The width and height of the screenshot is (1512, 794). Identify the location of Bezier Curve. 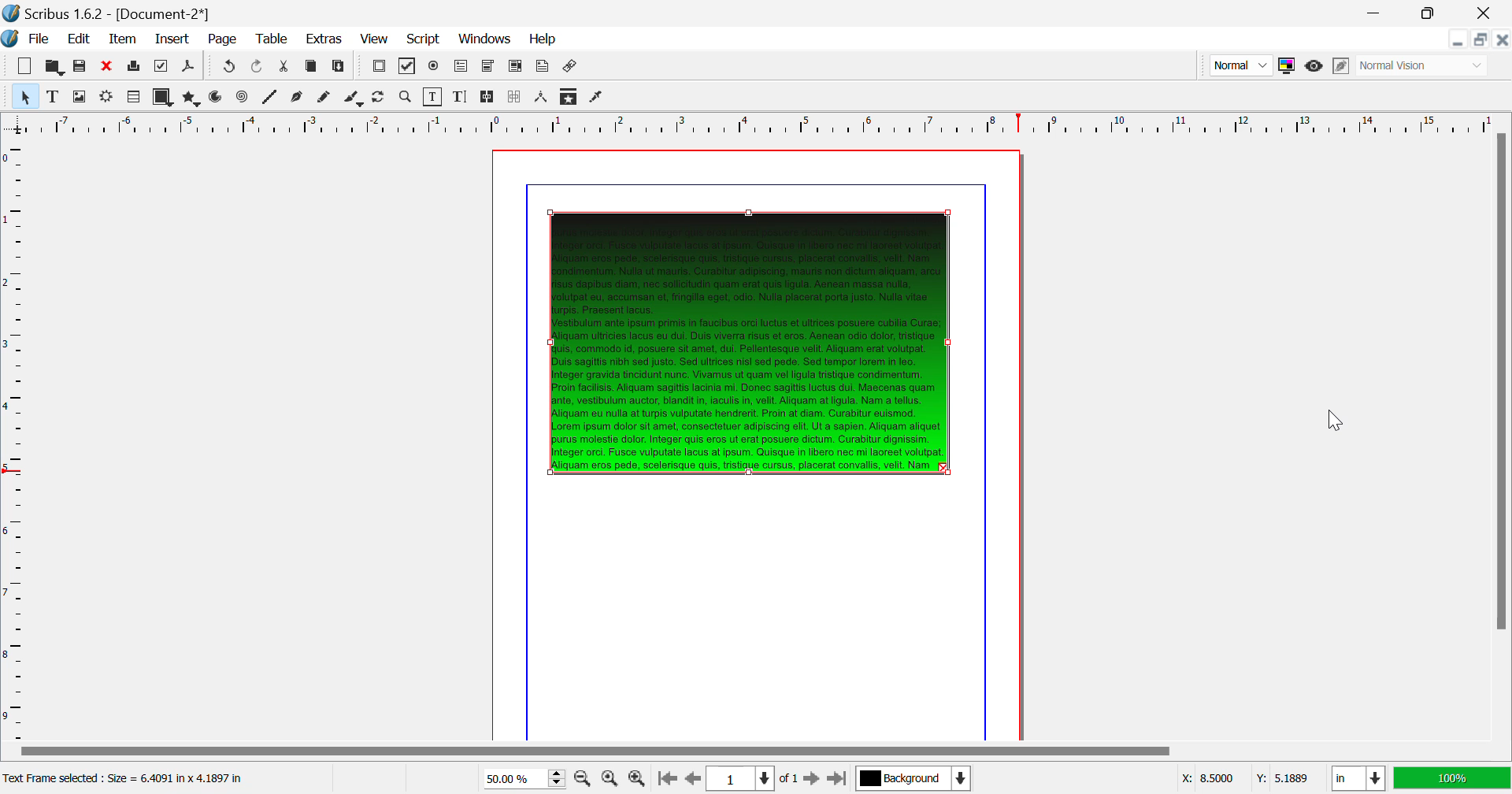
(298, 98).